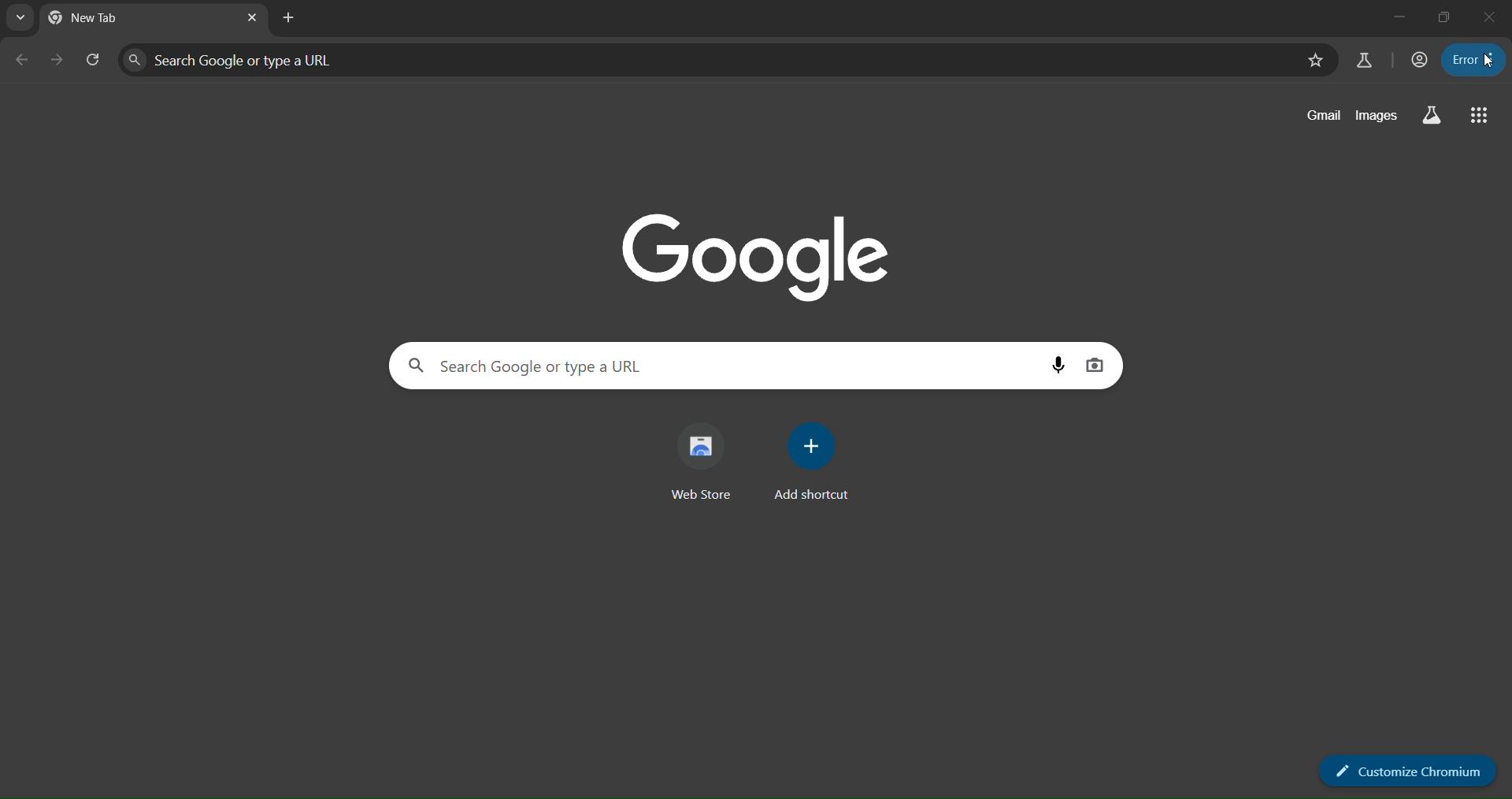 This screenshot has width=1512, height=799. I want to click on search labs, so click(1366, 61).